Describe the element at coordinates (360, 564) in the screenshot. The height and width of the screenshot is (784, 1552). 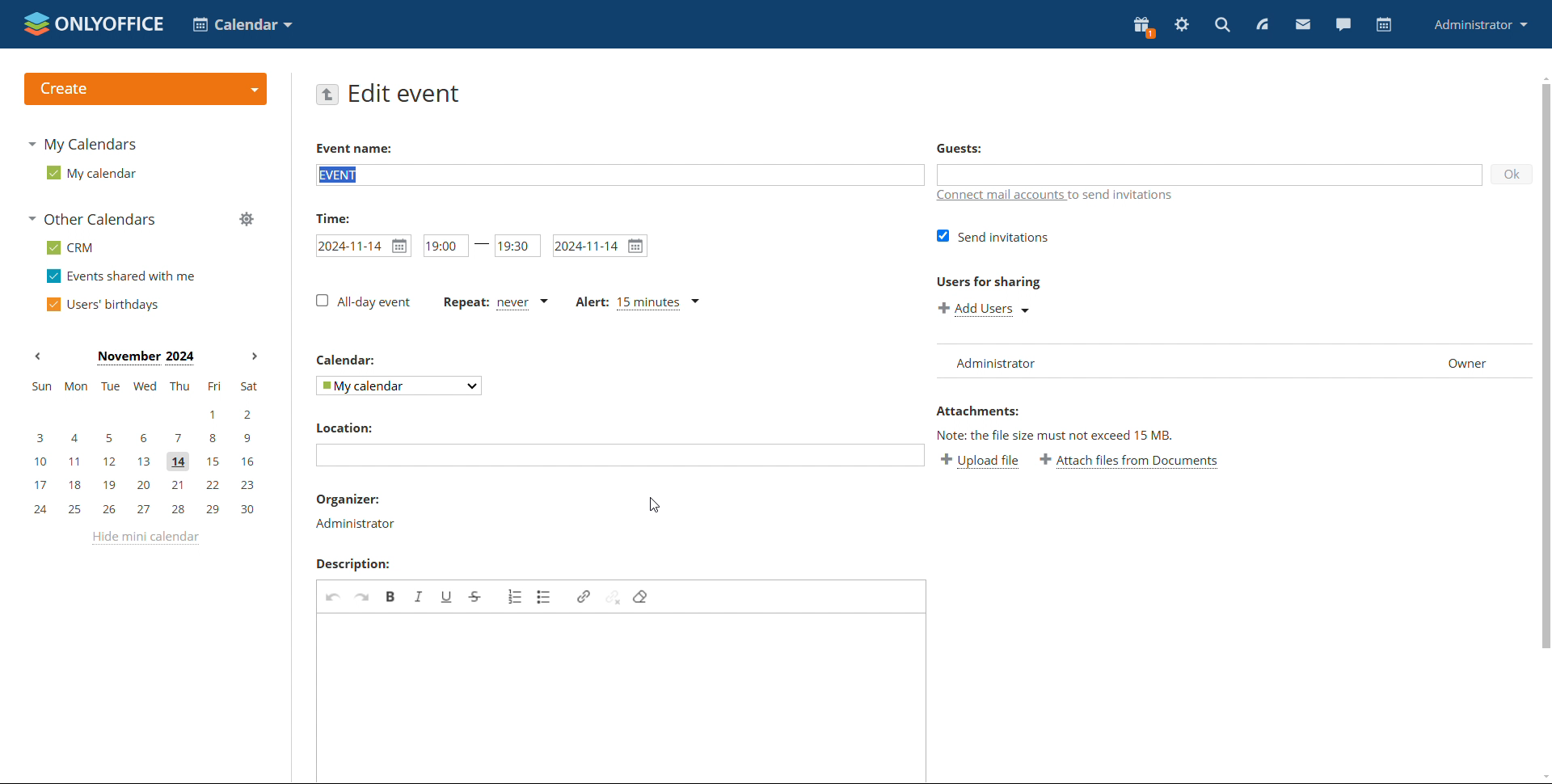
I see `Description` at that location.